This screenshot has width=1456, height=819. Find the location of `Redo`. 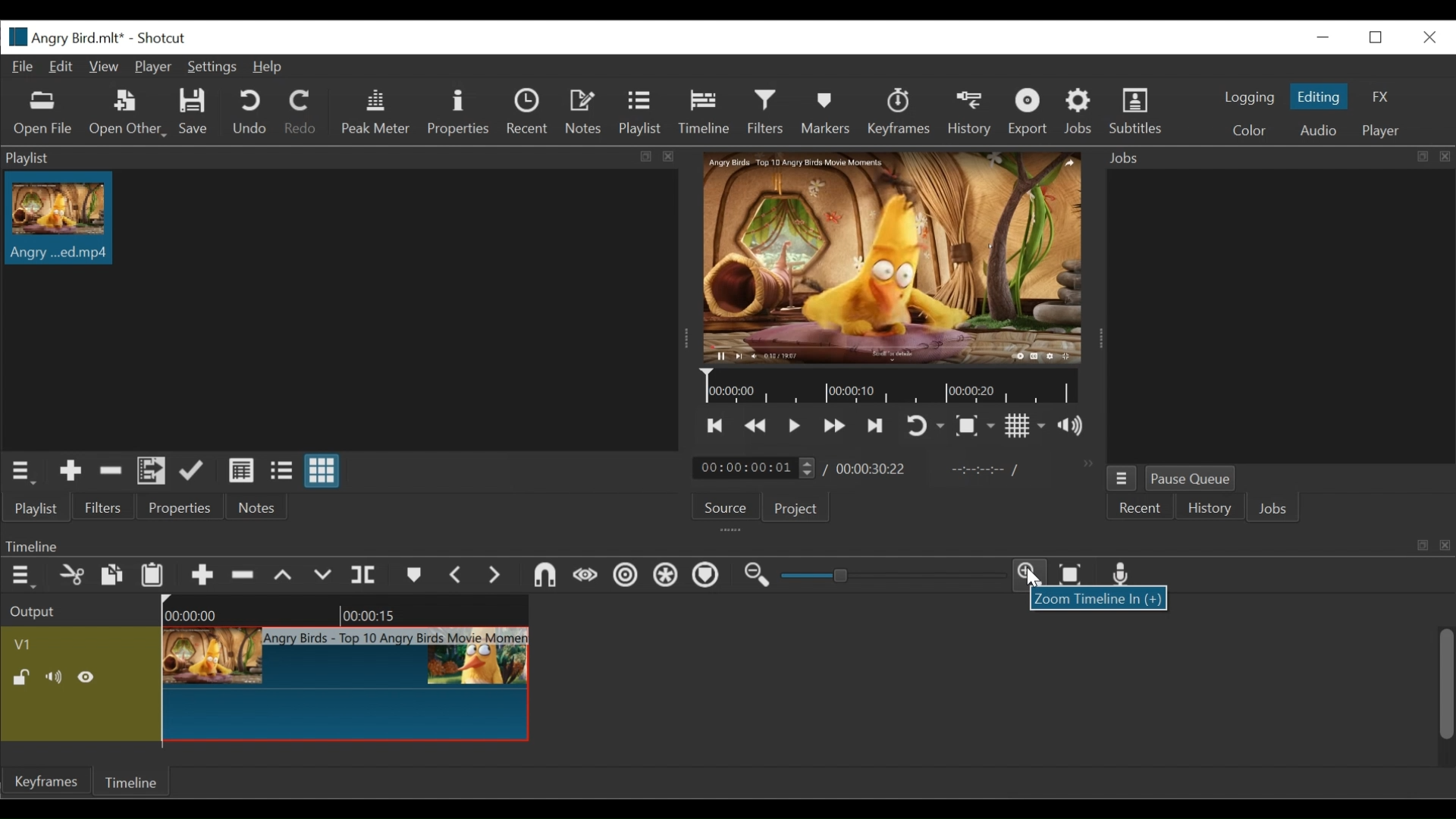

Redo is located at coordinates (300, 111).